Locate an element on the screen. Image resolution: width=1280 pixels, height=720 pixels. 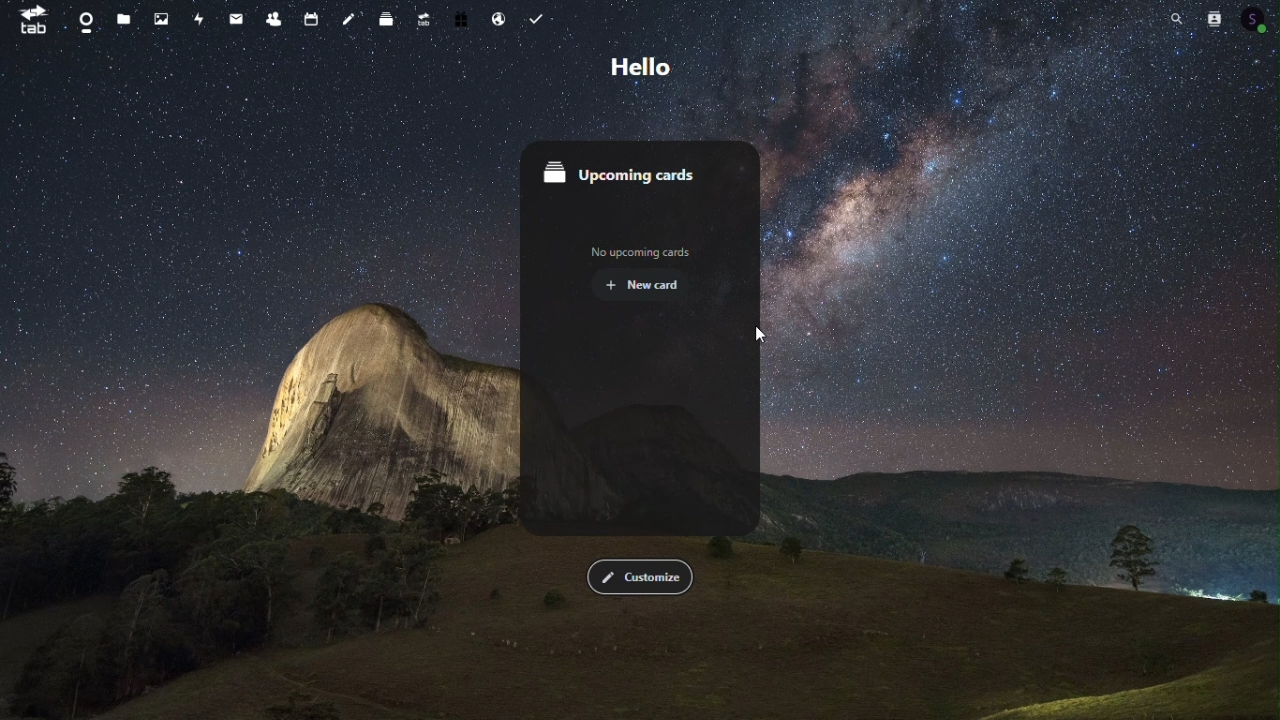
Task  is located at coordinates (534, 15).